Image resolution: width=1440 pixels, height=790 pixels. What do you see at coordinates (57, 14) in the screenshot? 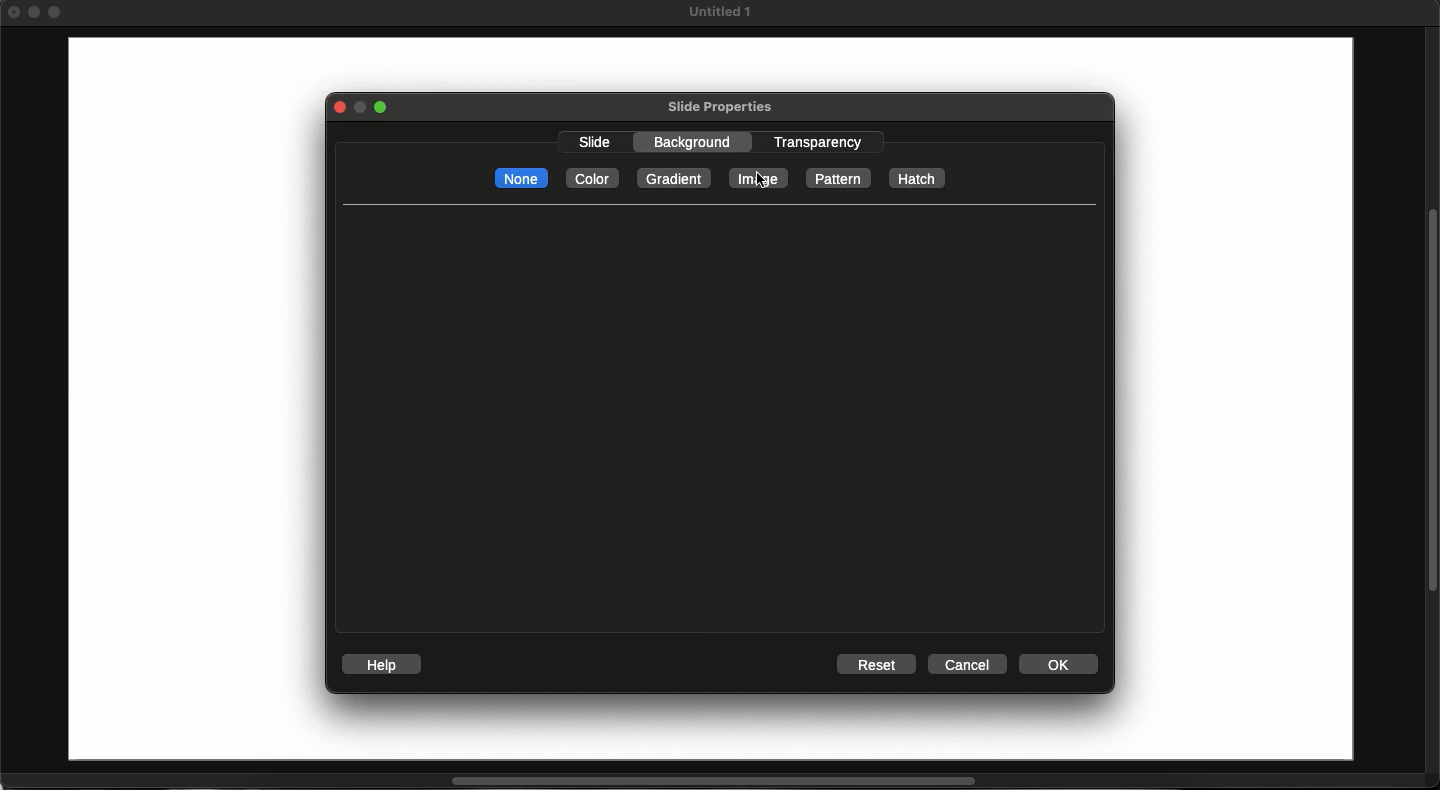
I see `Maximize` at bounding box center [57, 14].